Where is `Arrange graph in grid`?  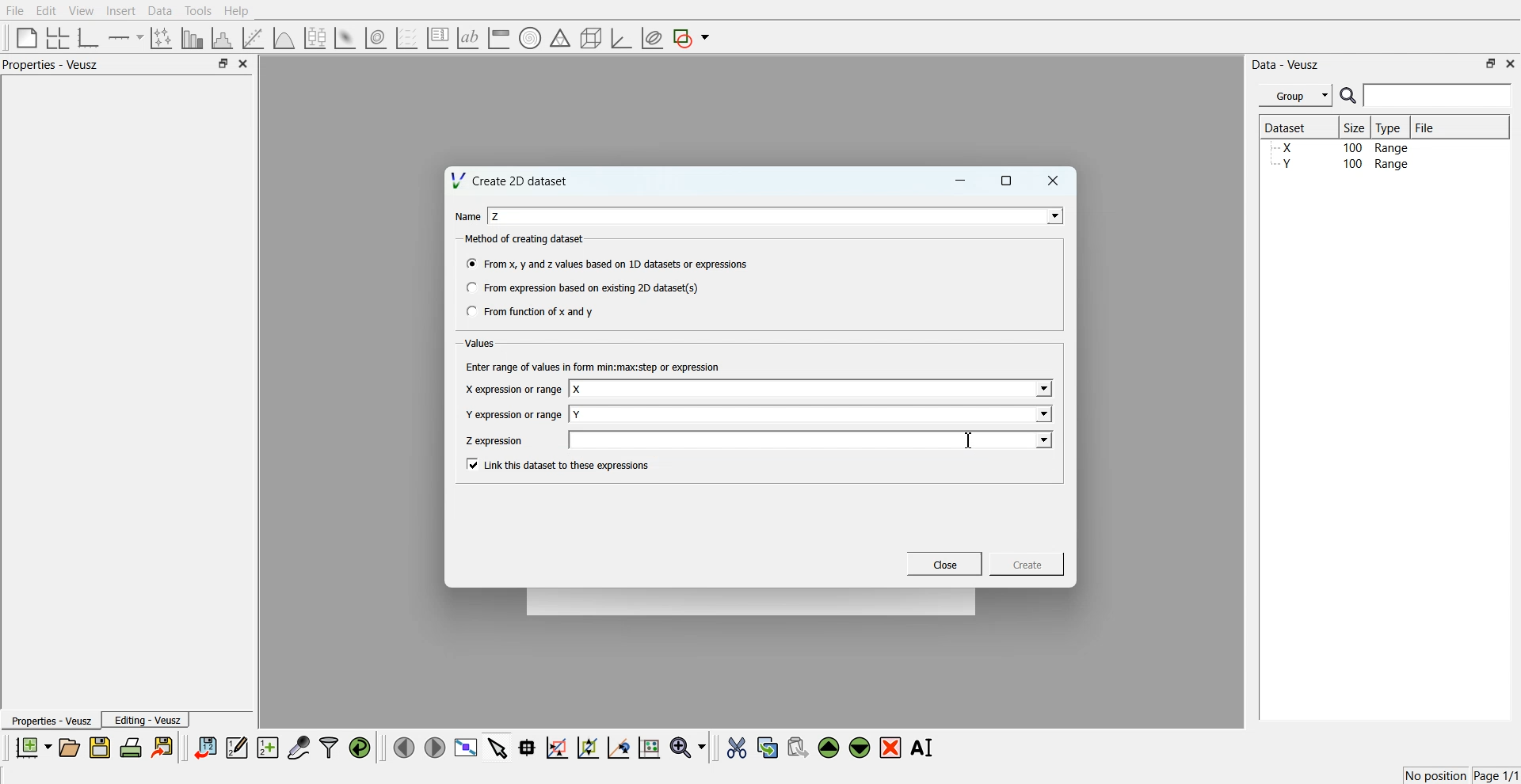 Arrange graph in grid is located at coordinates (58, 39).